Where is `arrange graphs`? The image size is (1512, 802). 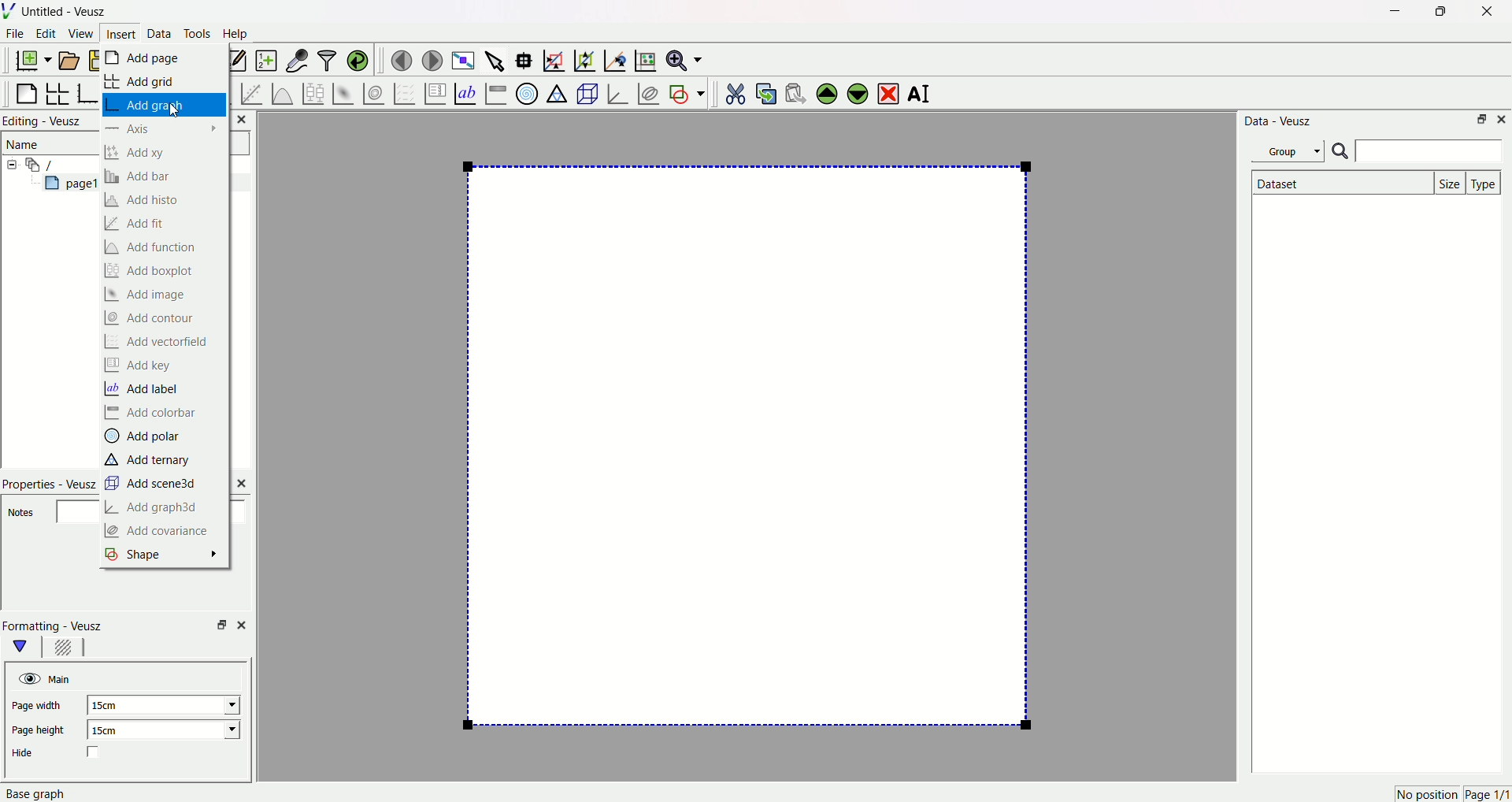 arrange graphs is located at coordinates (60, 91).